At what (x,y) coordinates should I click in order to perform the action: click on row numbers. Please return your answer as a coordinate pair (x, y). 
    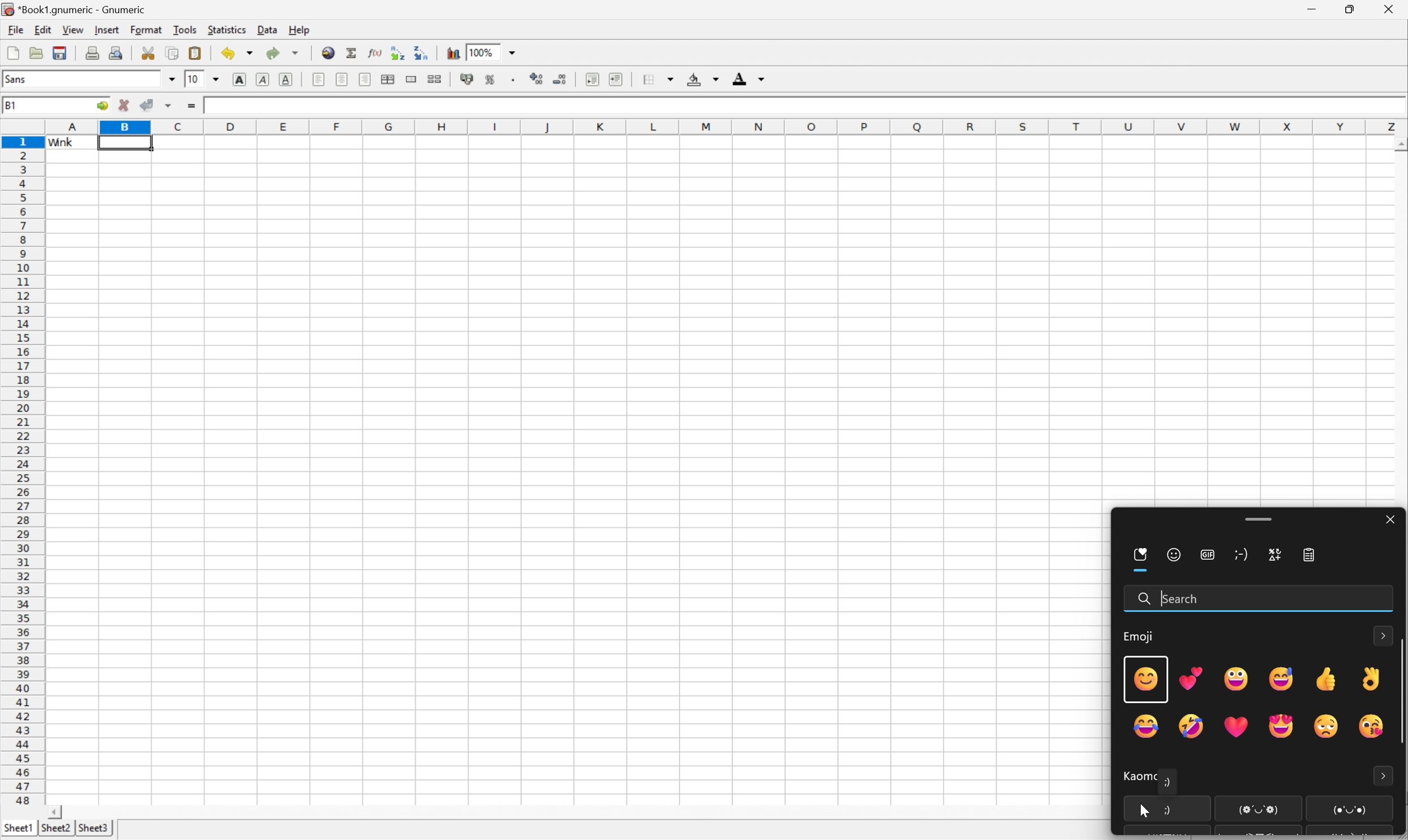
    Looking at the image, I should click on (25, 474).